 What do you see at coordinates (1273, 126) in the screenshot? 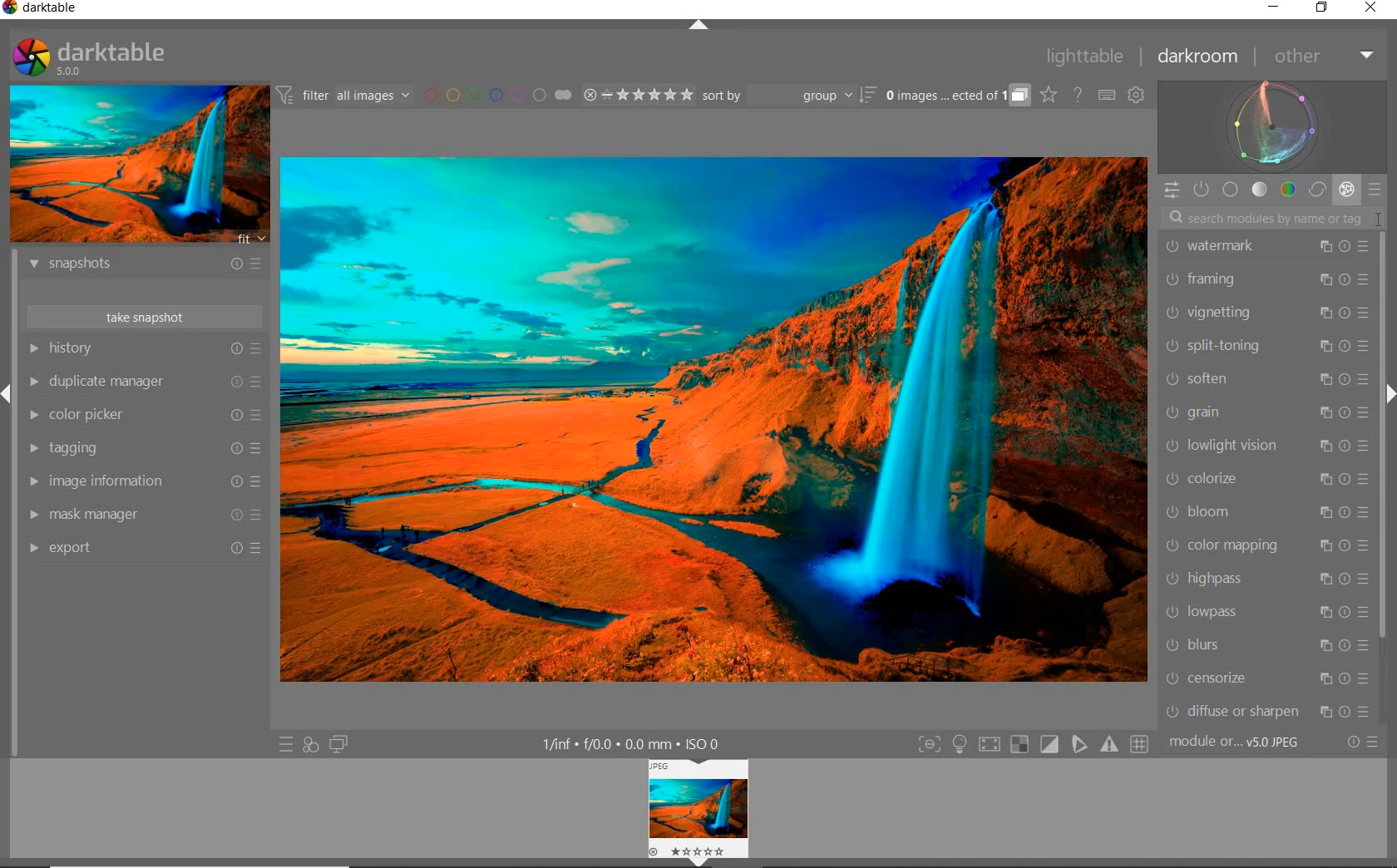
I see `waveform` at bounding box center [1273, 126].